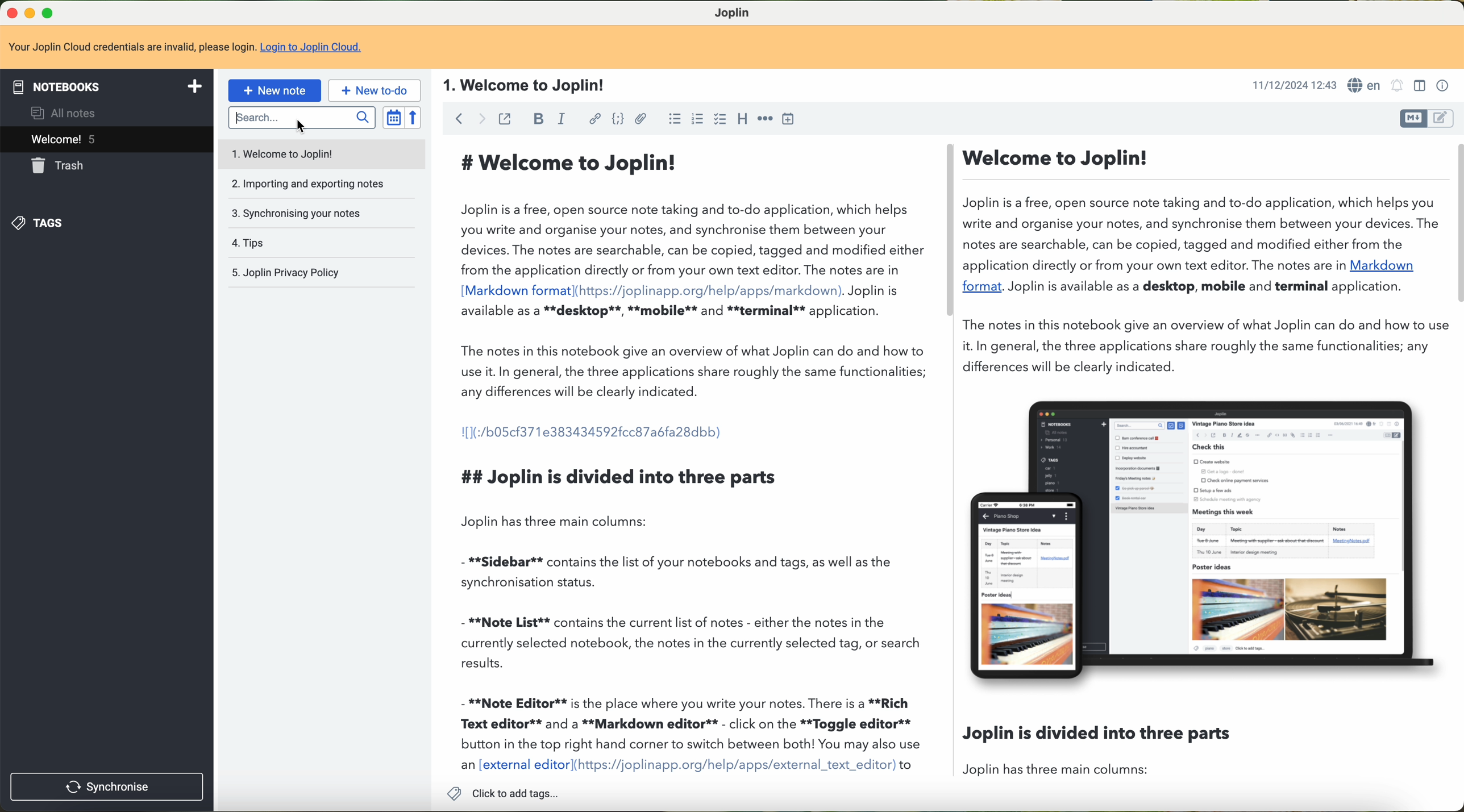 Image resolution: width=1464 pixels, height=812 pixels. What do you see at coordinates (413, 116) in the screenshot?
I see `reverse sort order` at bounding box center [413, 116].